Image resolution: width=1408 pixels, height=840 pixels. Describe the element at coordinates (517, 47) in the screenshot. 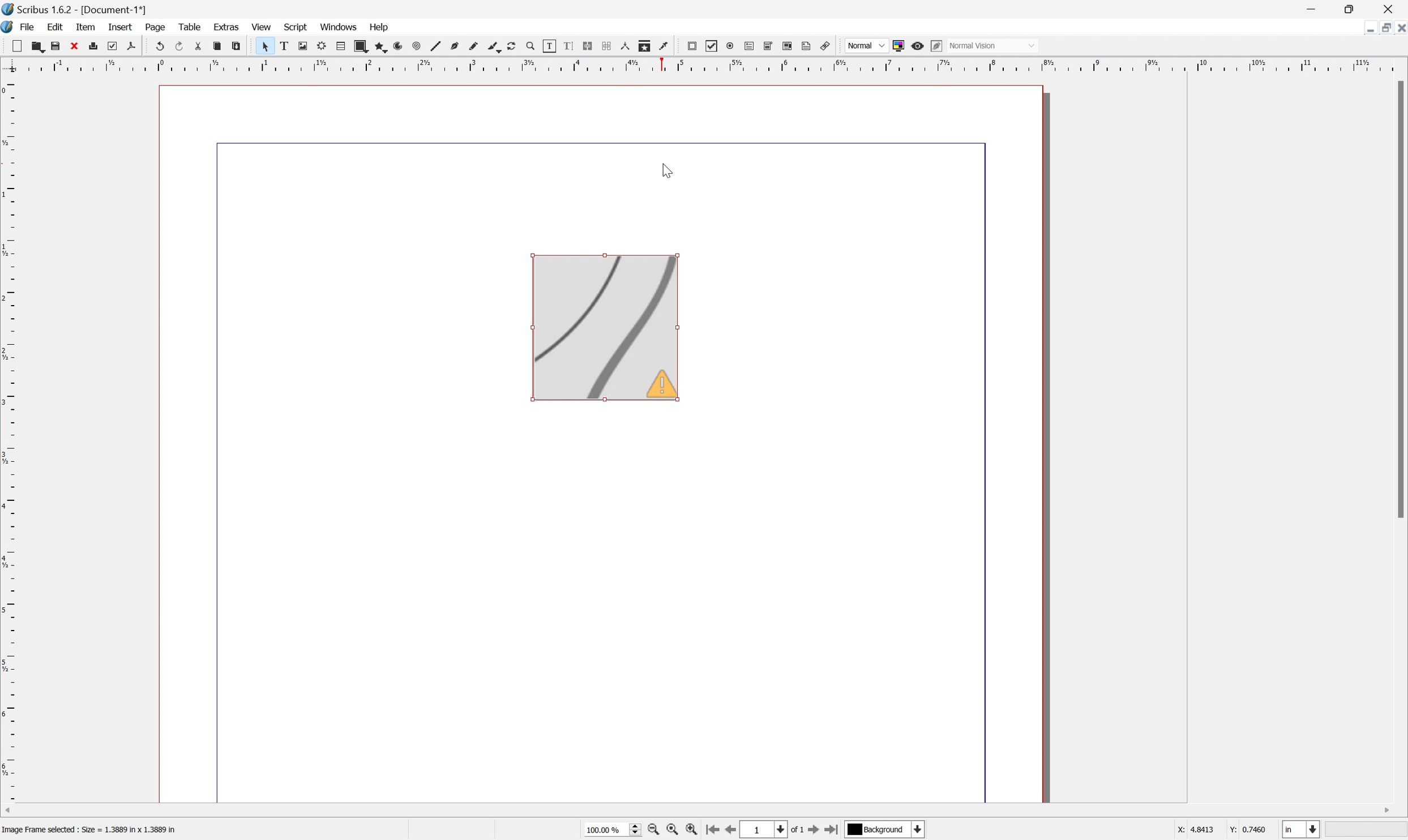

I see `Rotate item` at that location.